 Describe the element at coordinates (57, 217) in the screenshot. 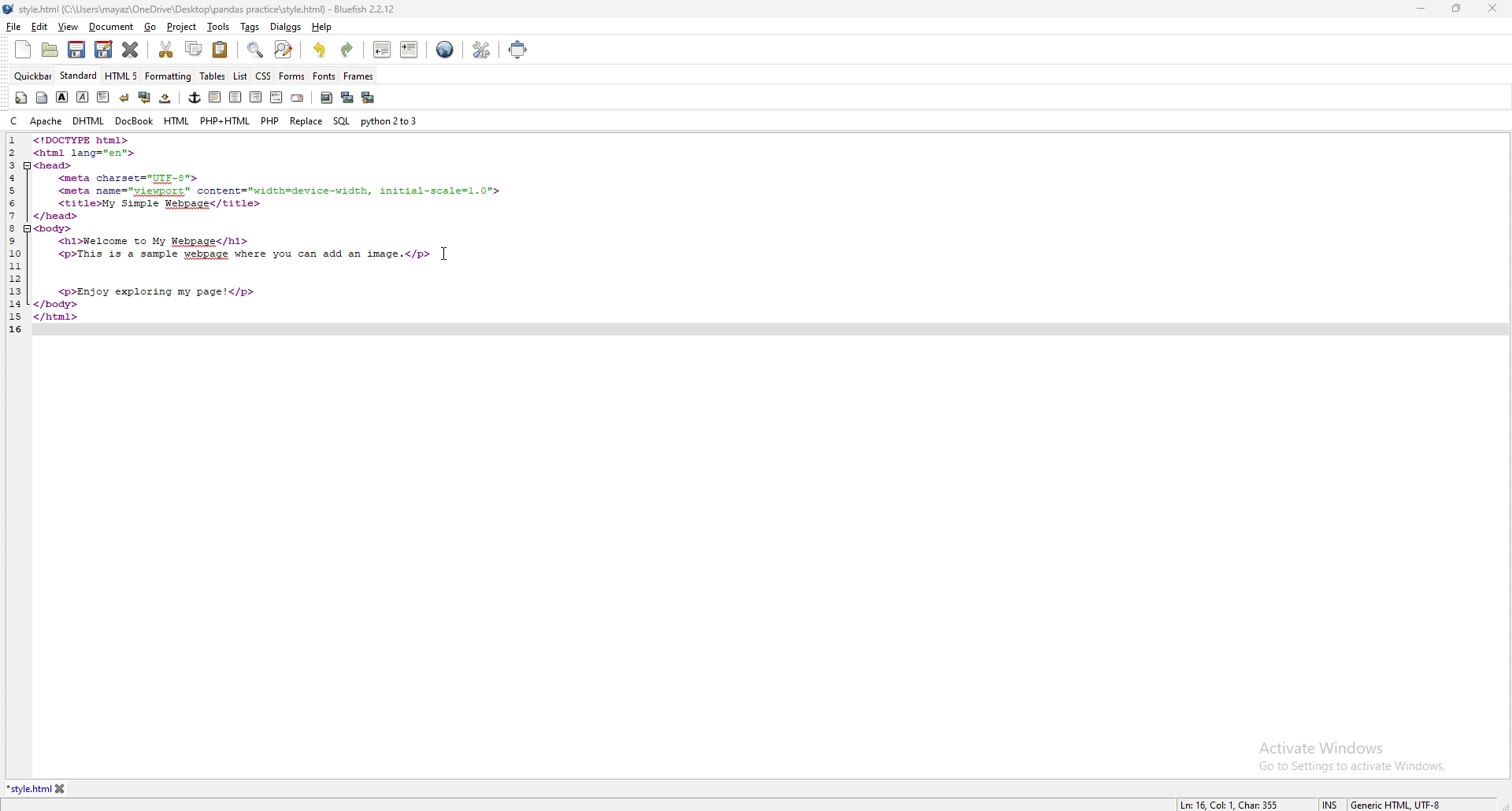

I see `</head>` at that location.